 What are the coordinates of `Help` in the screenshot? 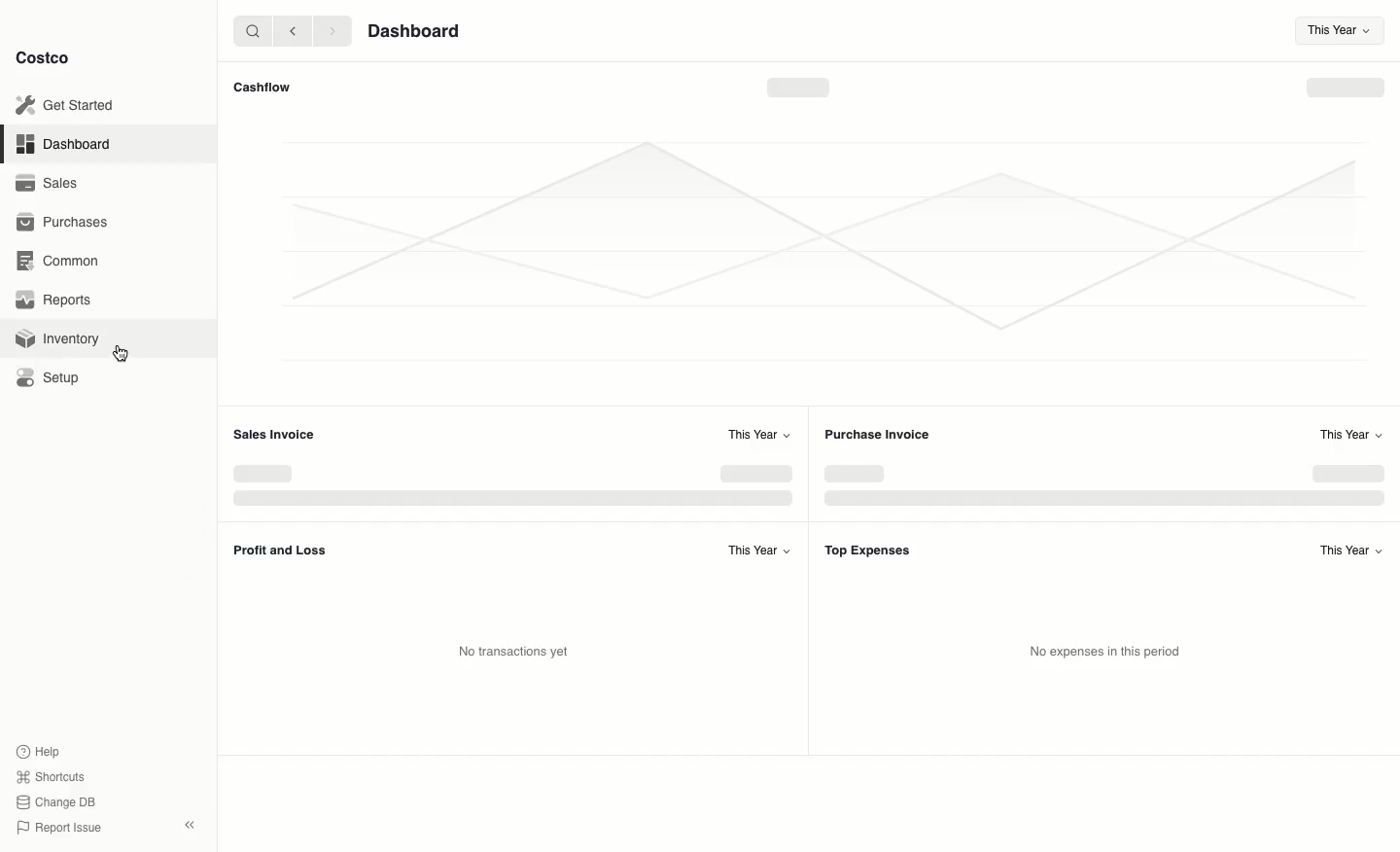 It's located at (40, 749).